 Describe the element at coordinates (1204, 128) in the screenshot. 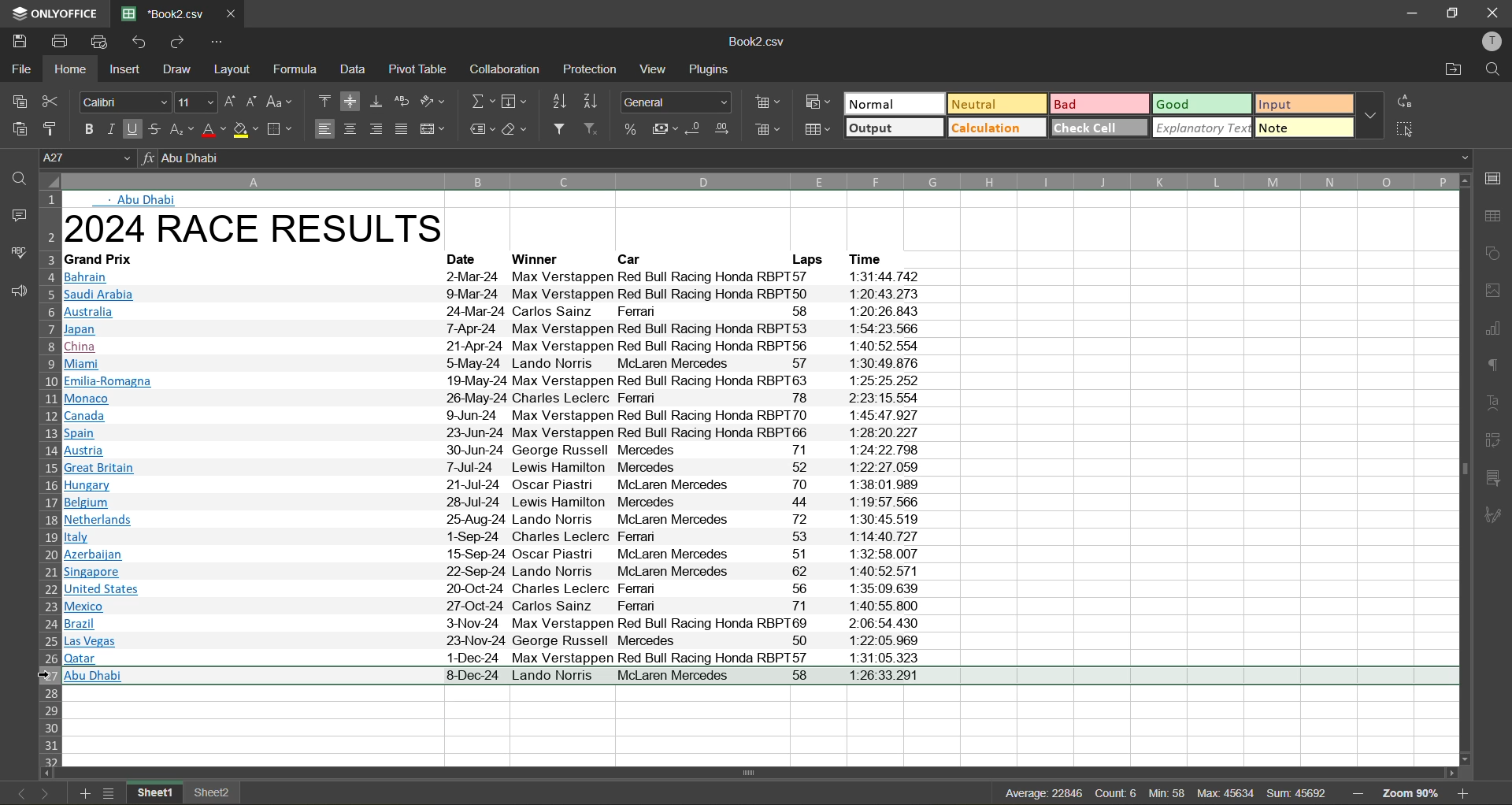

I see `explanatory text` at that location.